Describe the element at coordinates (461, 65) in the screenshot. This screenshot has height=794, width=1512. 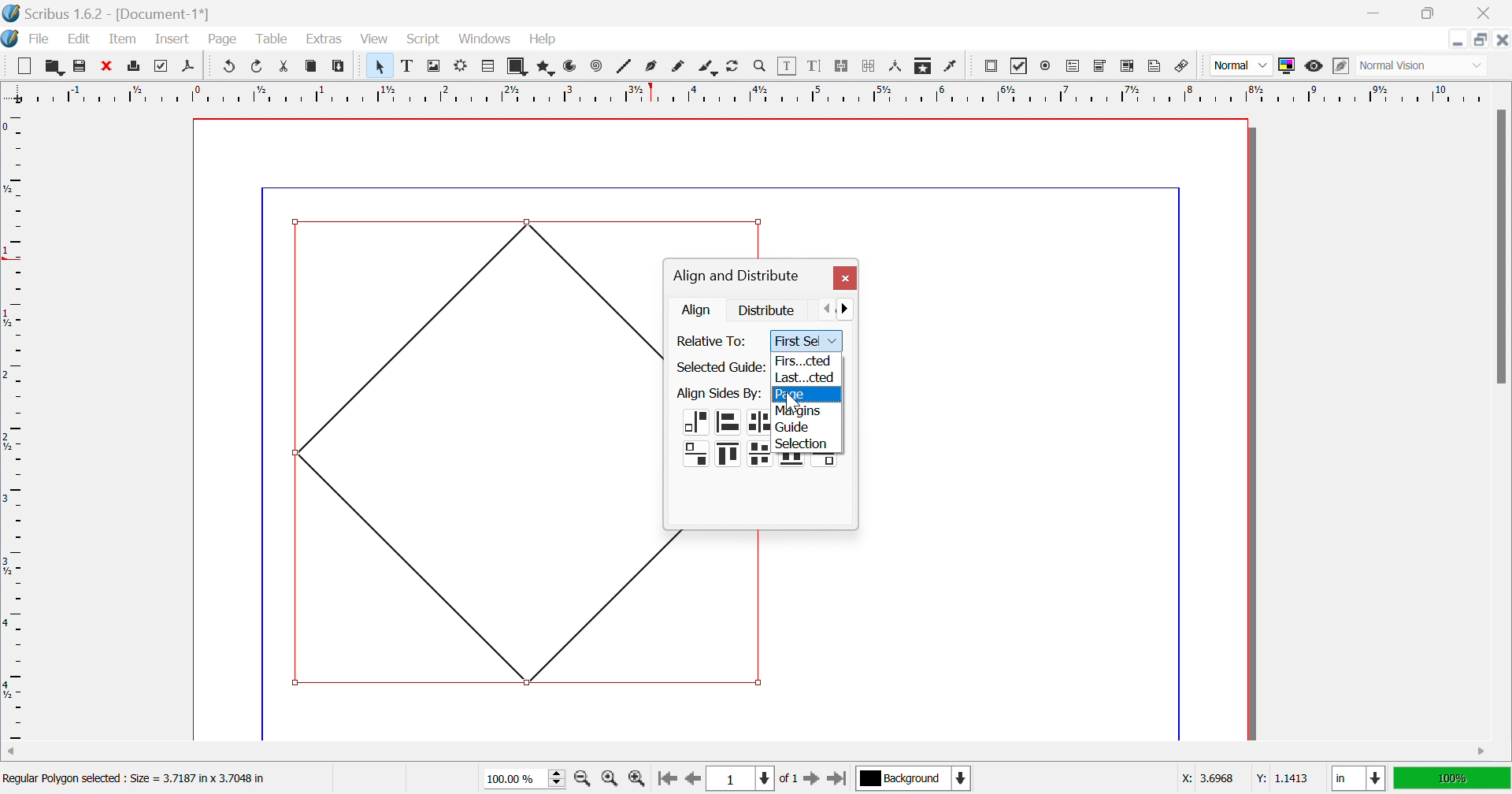
I see `Render frame` at that location.